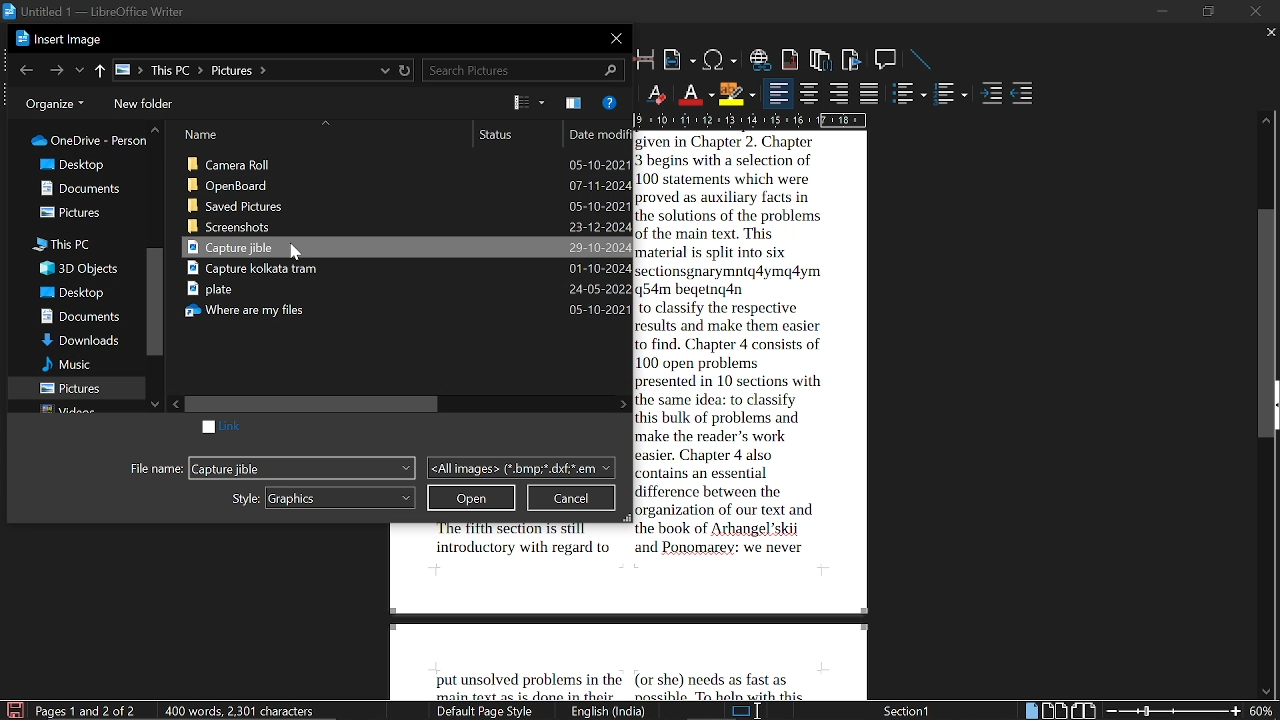 The image size is (1280, 720). What do you see at coordinates (622, 405) in the screenshot?
I see `move right` at bounding box center [622, 405].